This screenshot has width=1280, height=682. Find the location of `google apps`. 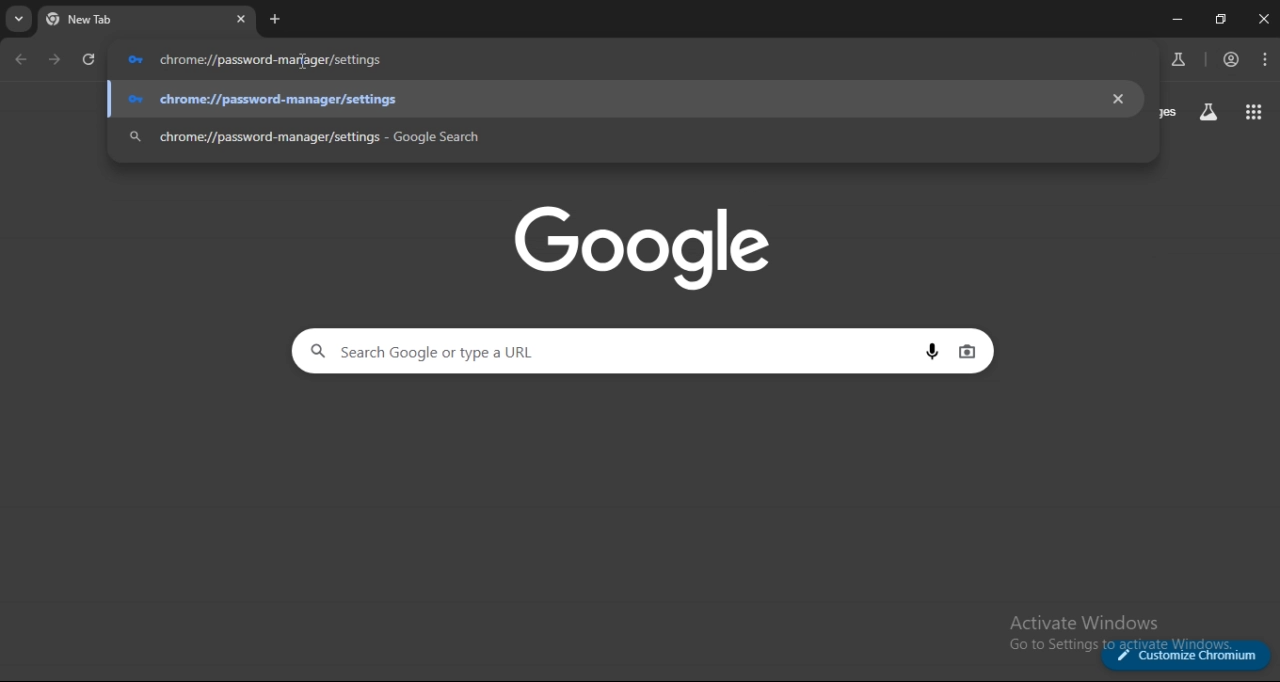

google apps is located at coordinates (1250, 111).